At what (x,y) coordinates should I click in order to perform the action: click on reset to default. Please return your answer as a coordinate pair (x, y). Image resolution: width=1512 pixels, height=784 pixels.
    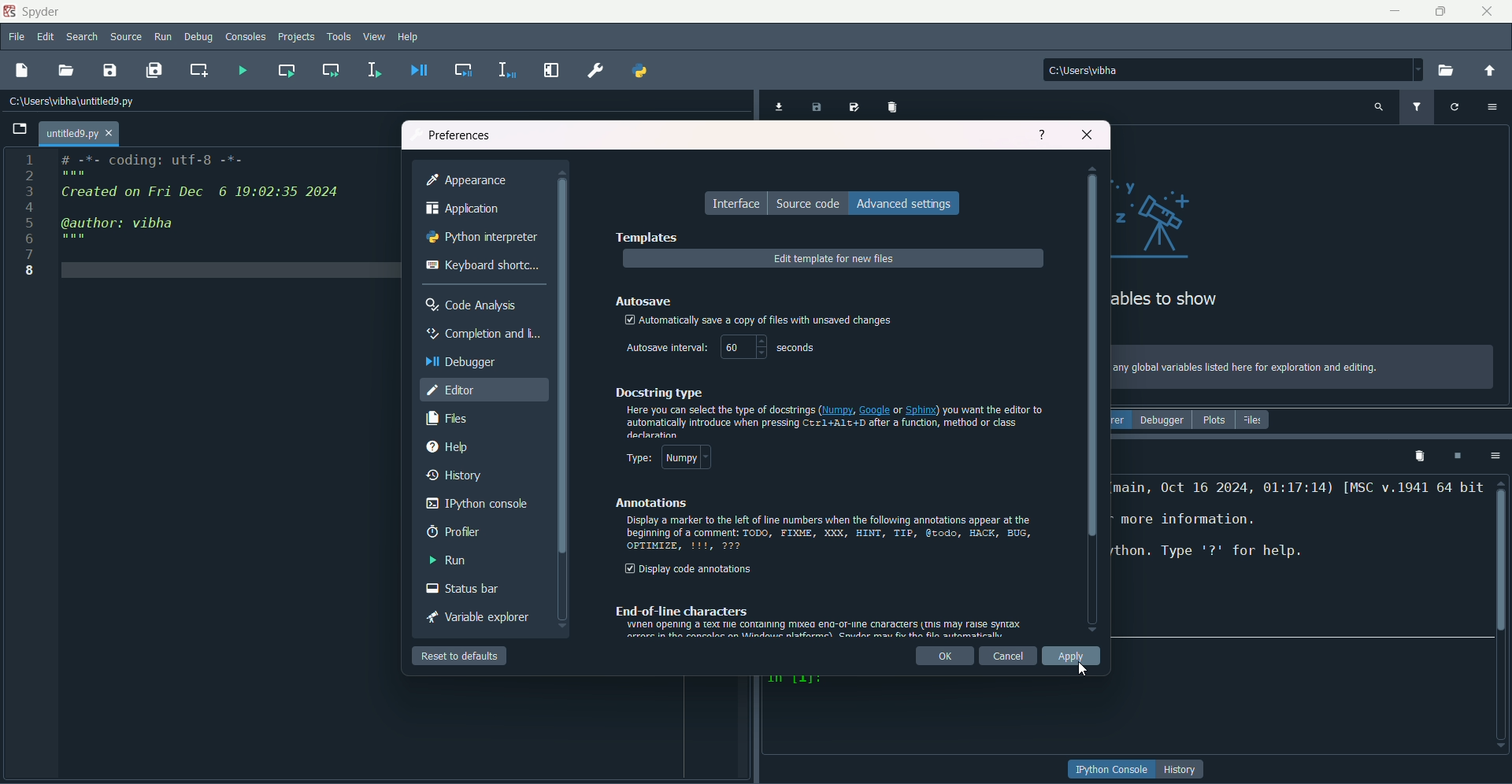
    Looking at the image, I should click on (460, 655).